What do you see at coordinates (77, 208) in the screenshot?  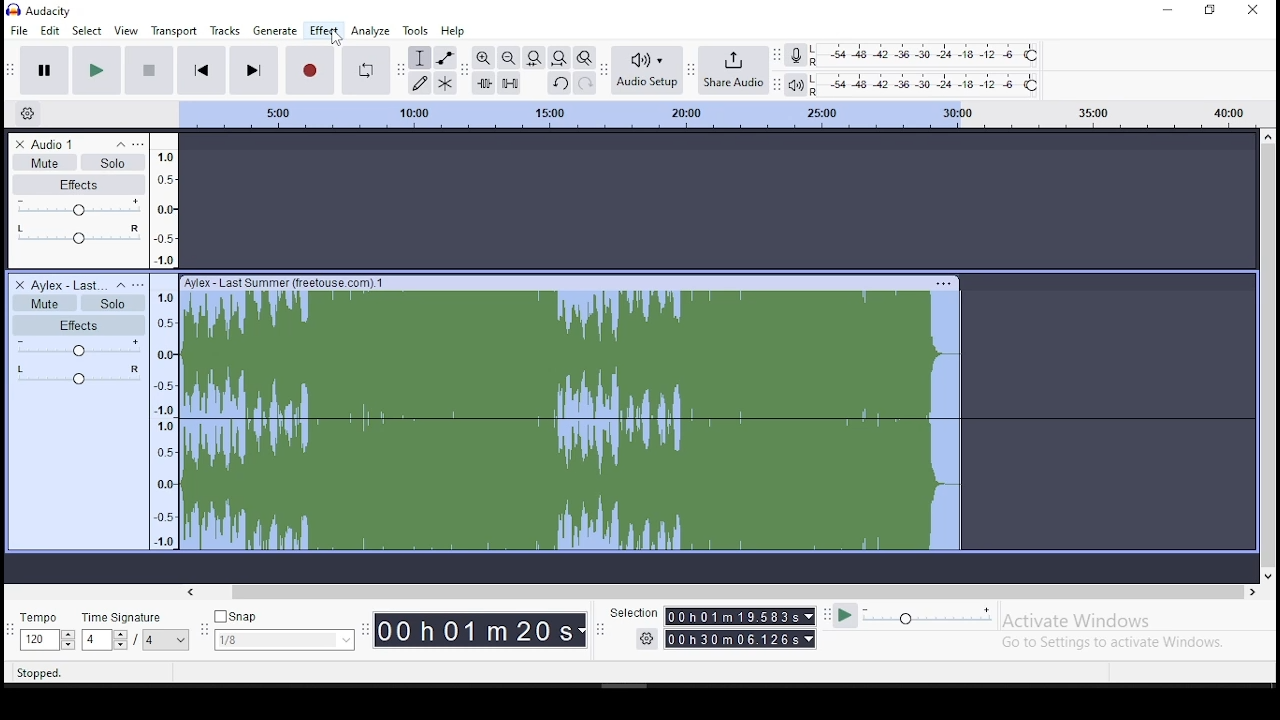 I see `volume` at bounding box center [77, 208].